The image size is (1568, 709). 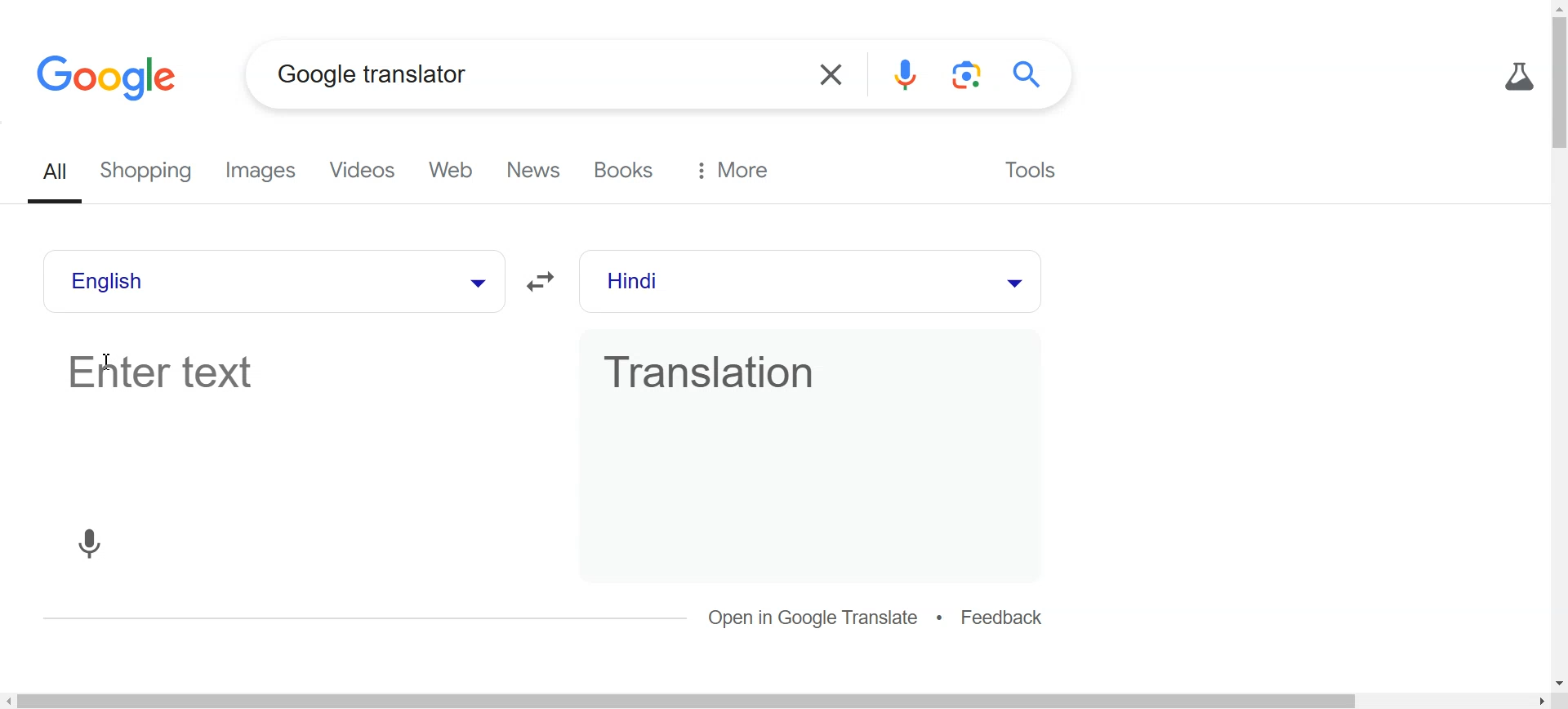 What do you see at coordinates (537, 171) in the screenshot?
I see `News` at bounding box center [537, 171].